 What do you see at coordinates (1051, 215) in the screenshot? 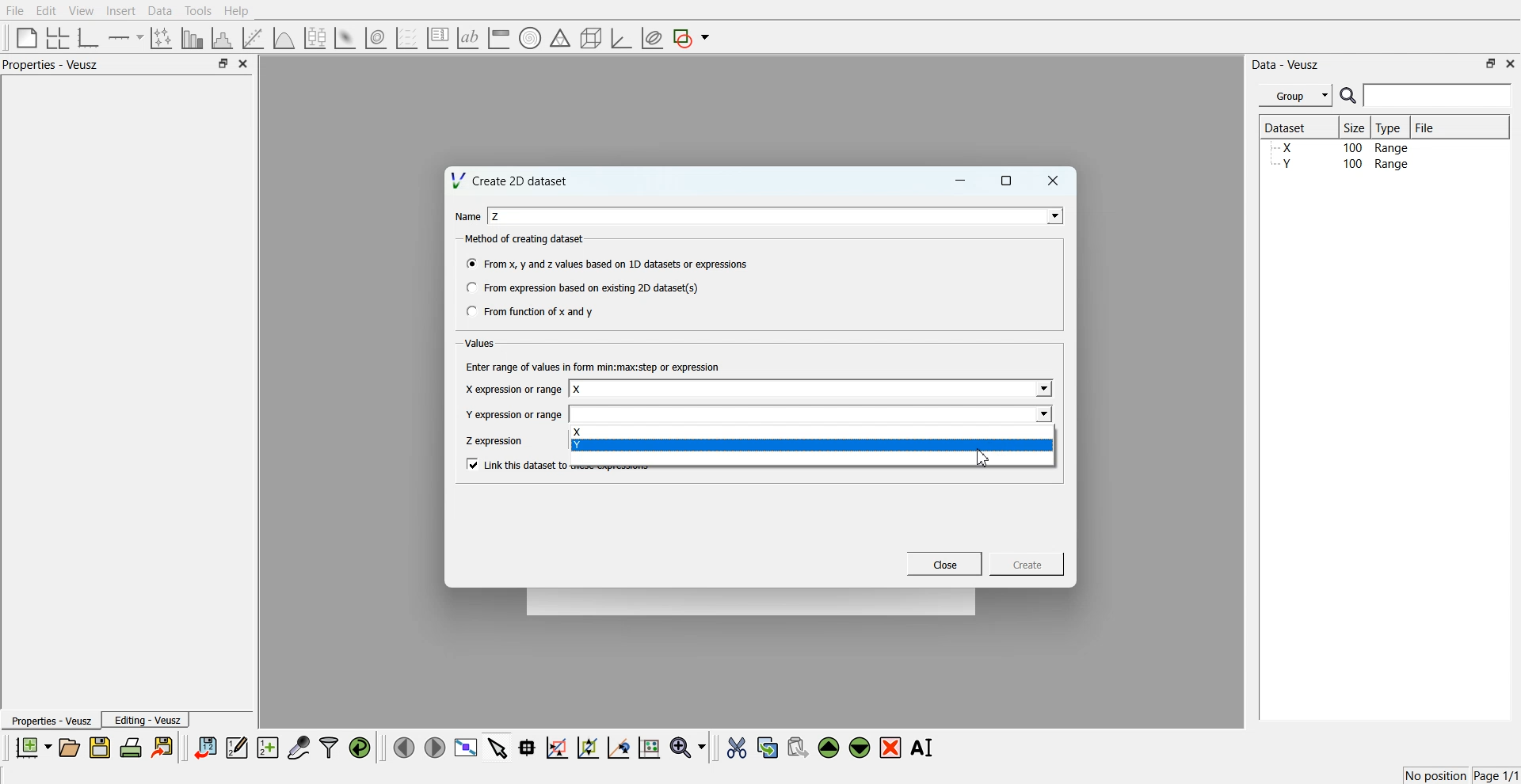
I see `Drop down` at bounding box center [1051, 215].